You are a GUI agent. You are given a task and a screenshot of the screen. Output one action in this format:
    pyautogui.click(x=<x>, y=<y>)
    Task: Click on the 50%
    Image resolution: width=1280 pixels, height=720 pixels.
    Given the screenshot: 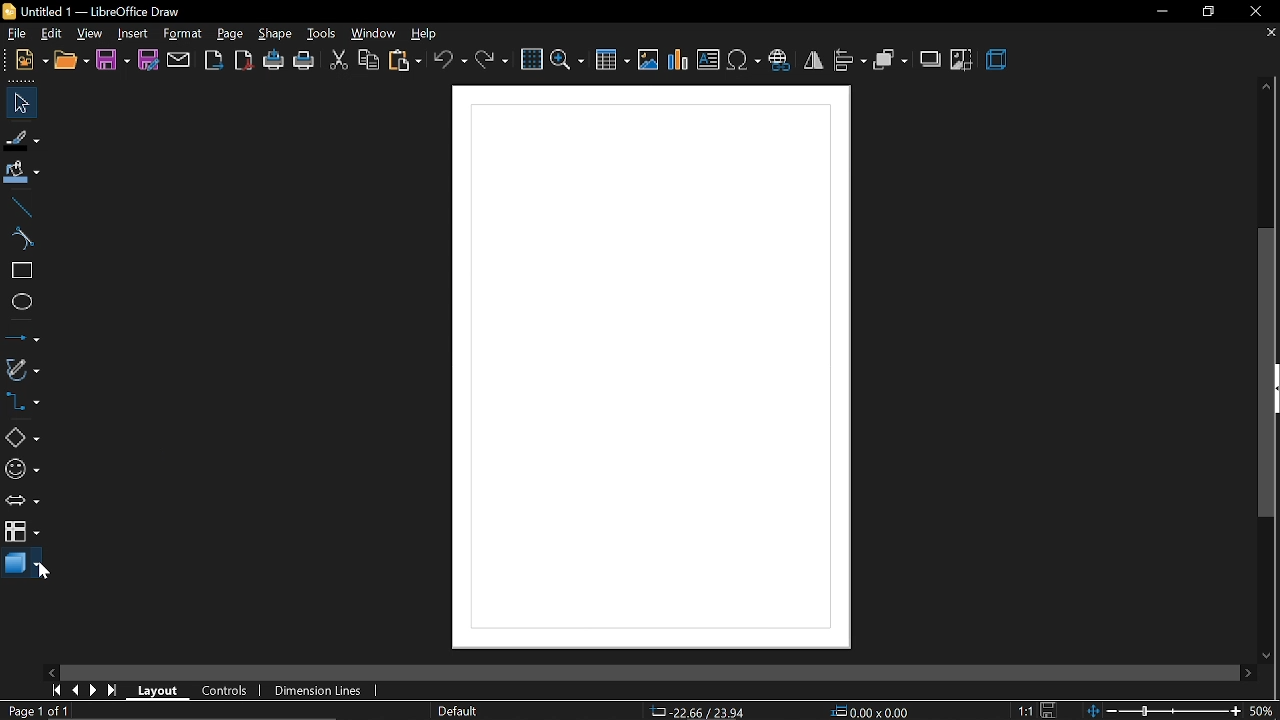 What is the action you would take?
    pyautogui.click(x=1264, y=710)
    